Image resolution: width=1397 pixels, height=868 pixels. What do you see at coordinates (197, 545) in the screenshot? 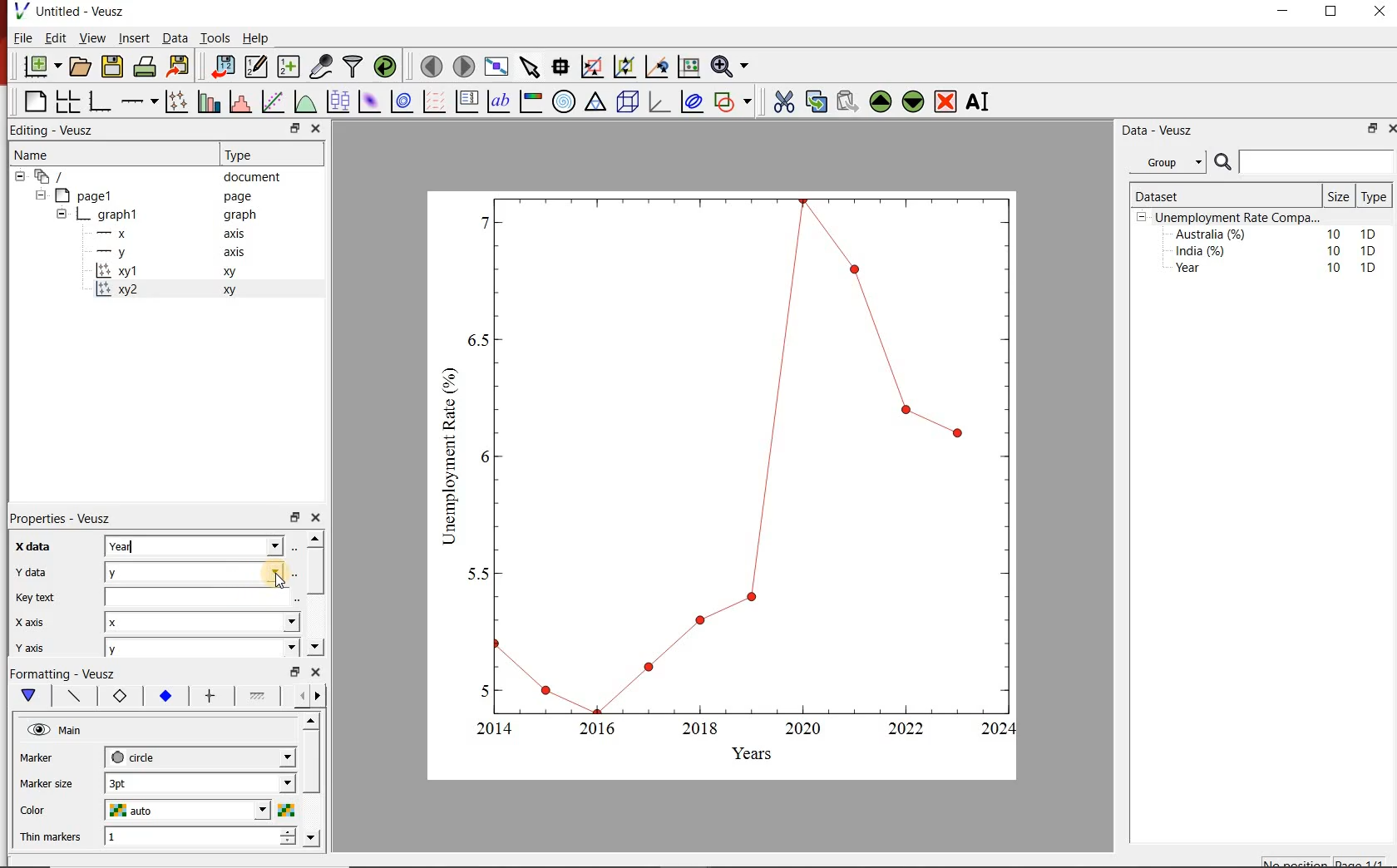
I see `Year` at bounding box center [197, 545].